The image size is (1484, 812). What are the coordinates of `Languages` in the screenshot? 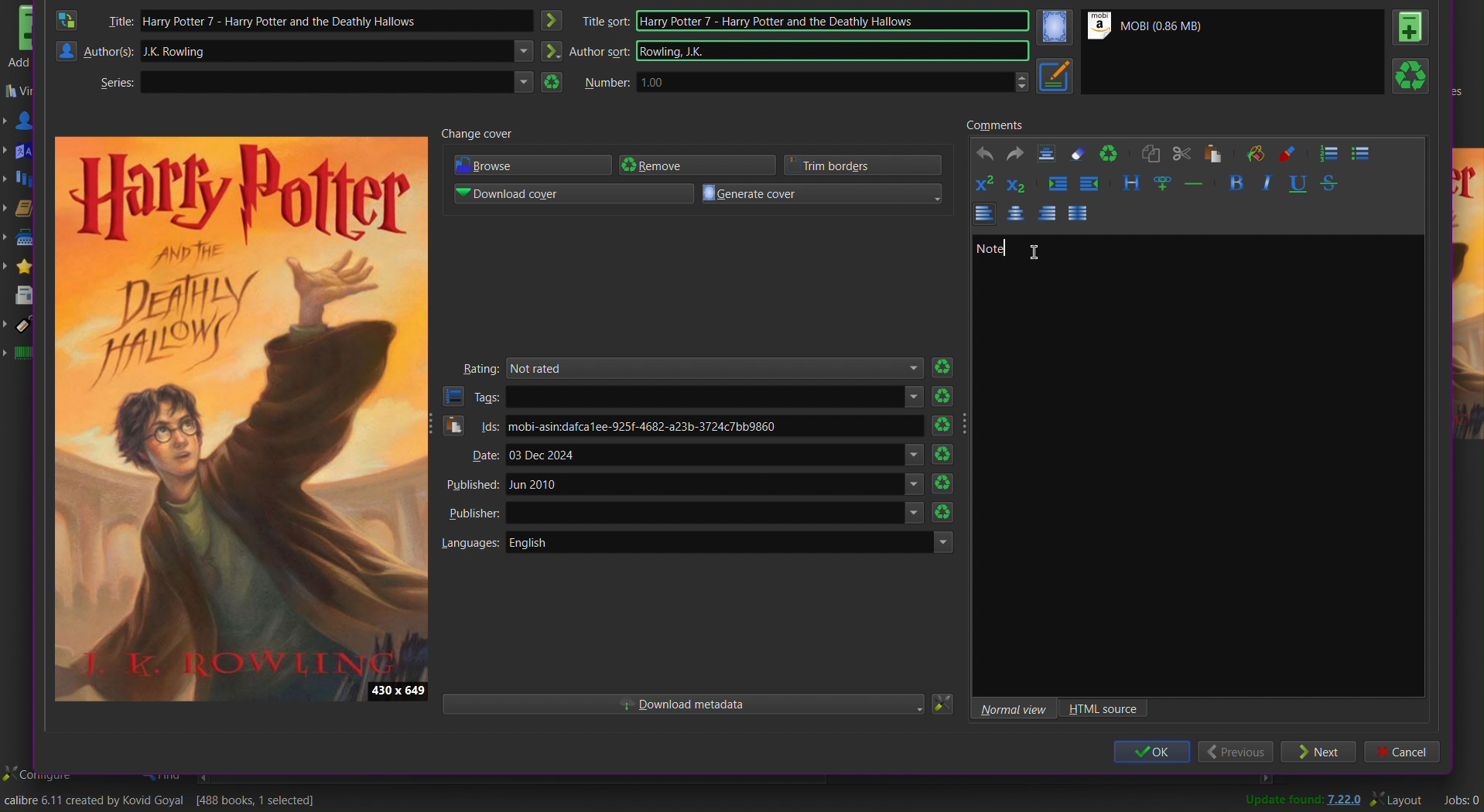 It's located at (22, 151).